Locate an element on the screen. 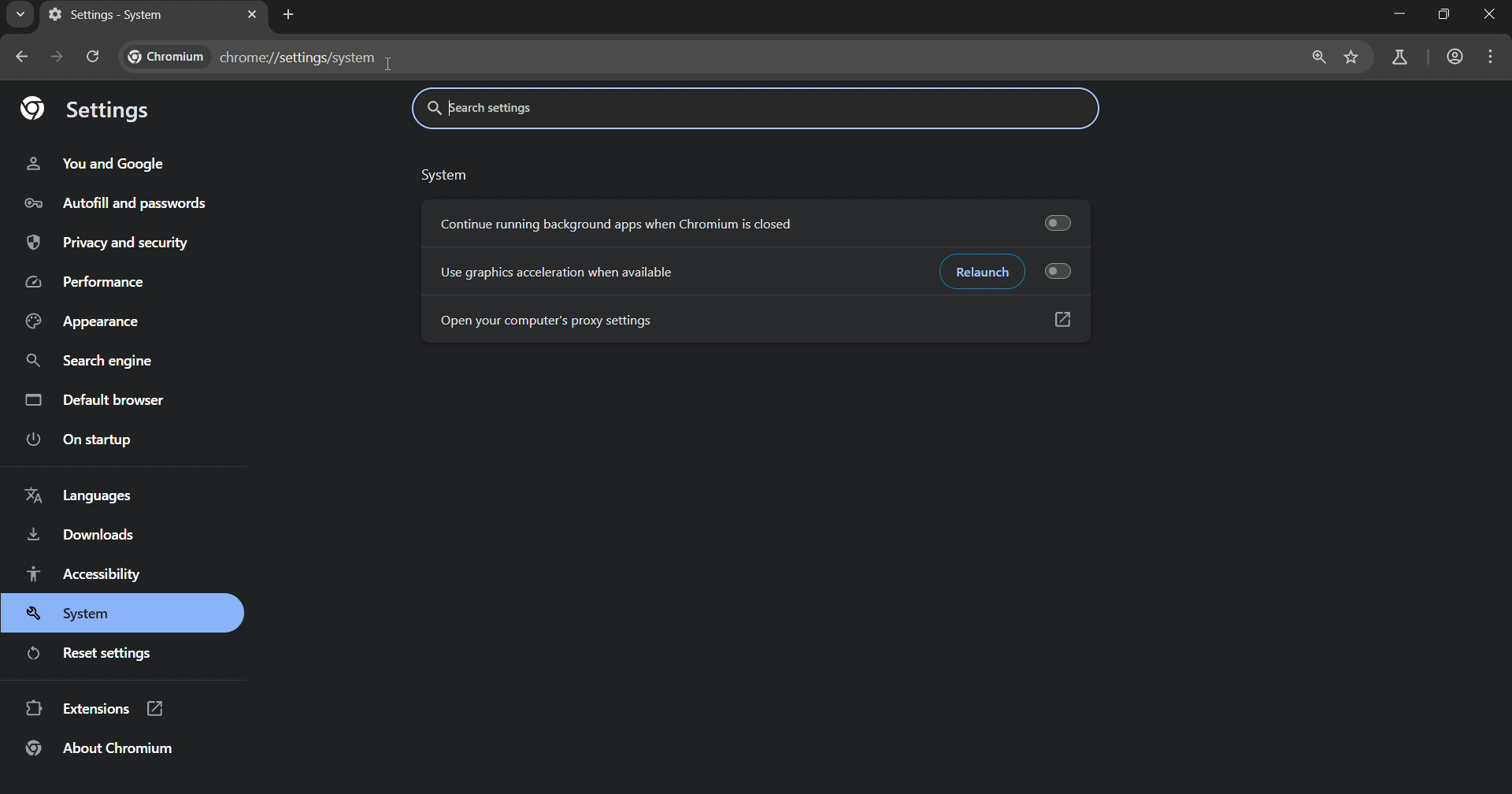  account is located at coordinates (1456, 58).